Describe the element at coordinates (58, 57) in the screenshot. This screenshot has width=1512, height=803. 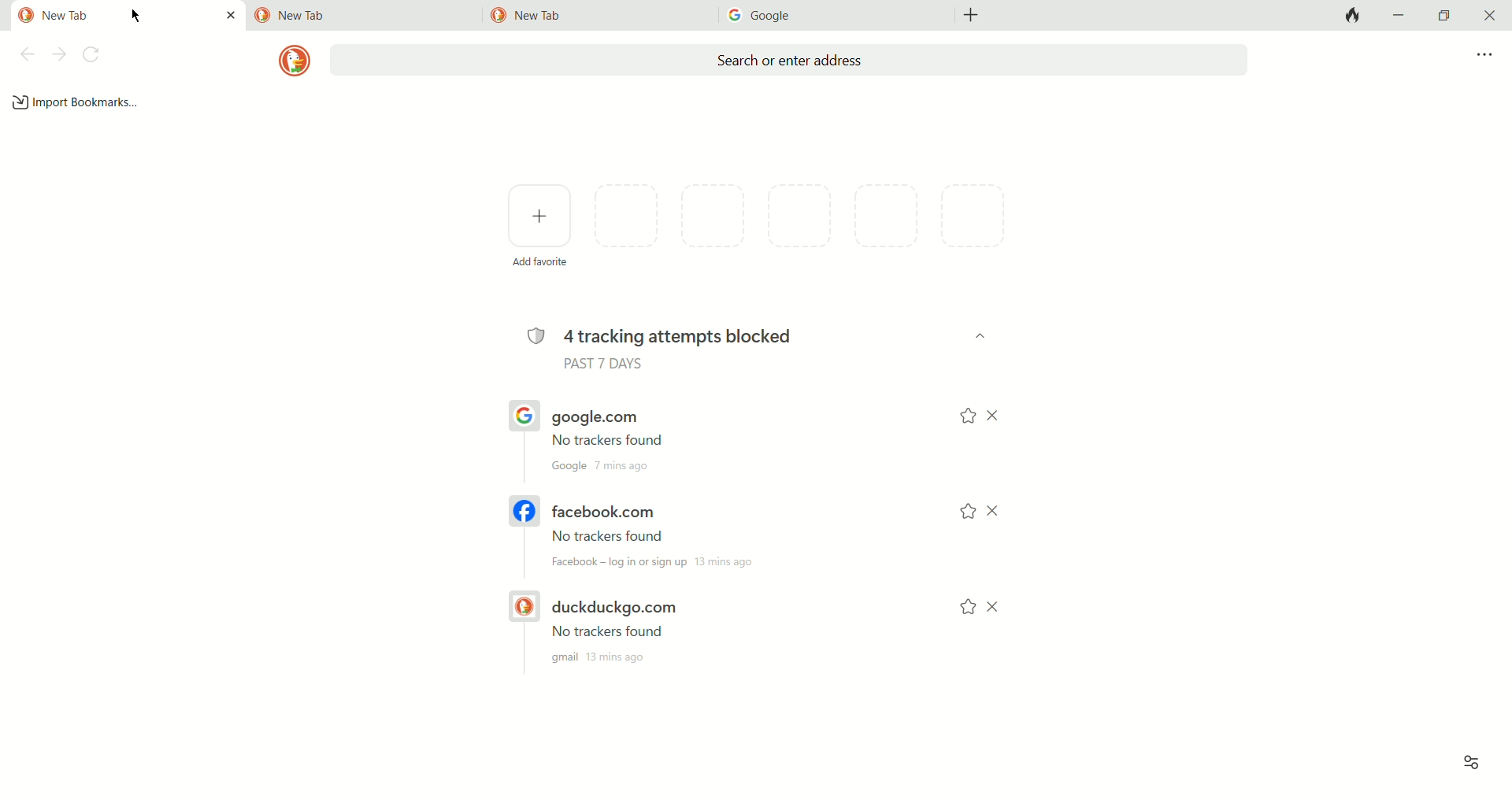
I see `next` at that location.